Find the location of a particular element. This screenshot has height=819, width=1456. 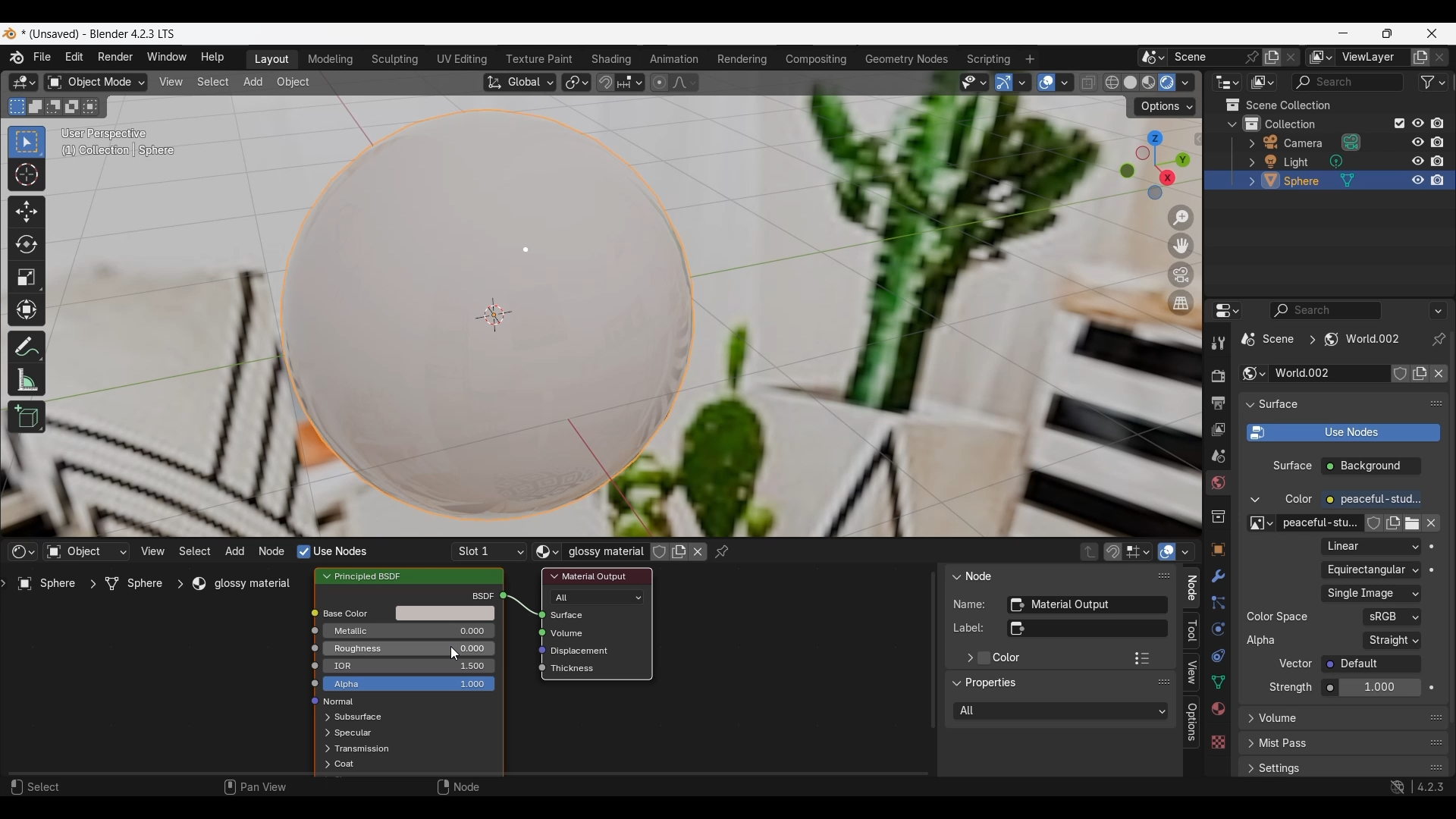

icon is located at coordinates (306, 664).